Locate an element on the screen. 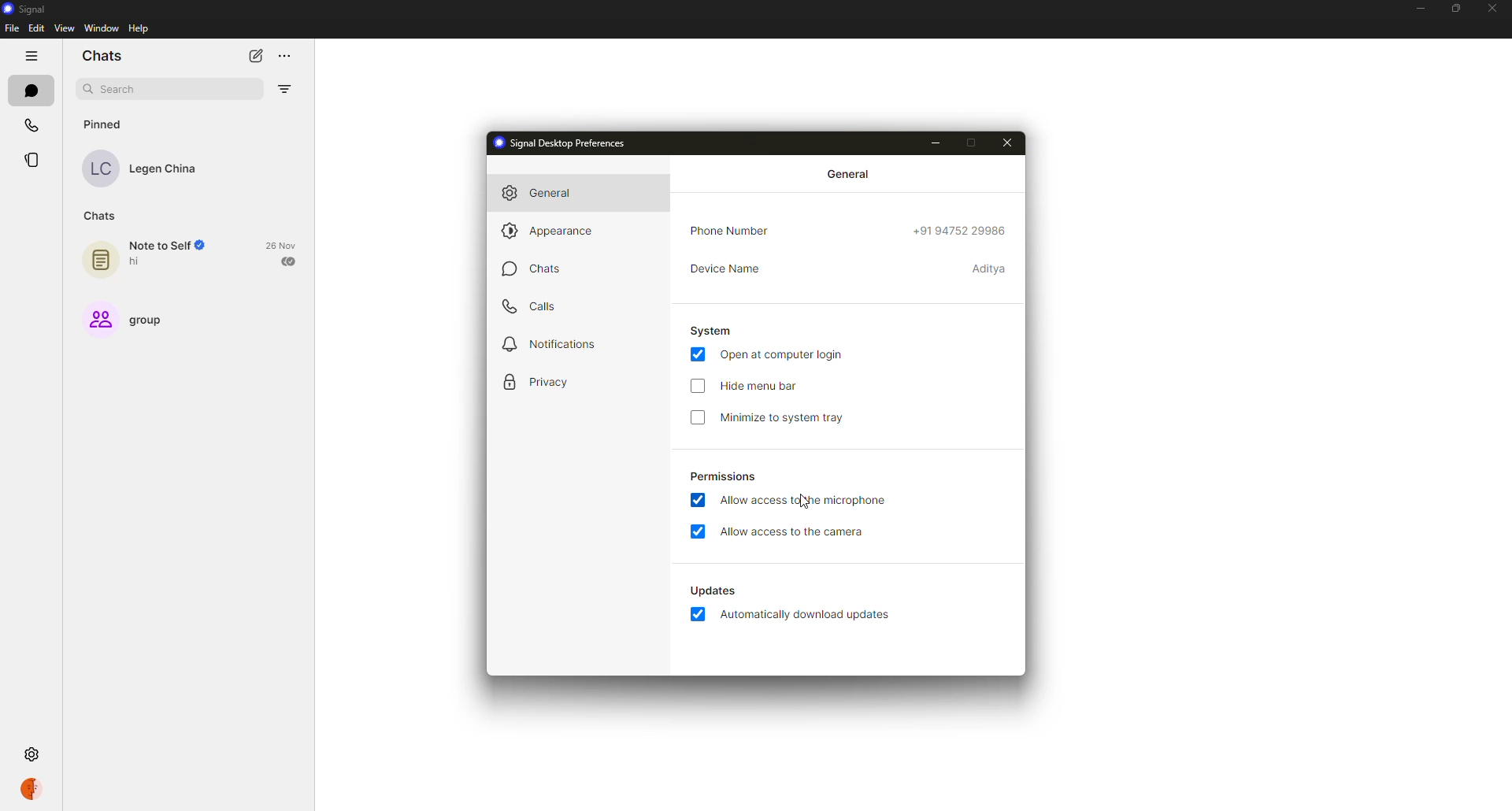 The height and width of the screenshot is (811, 1512). enabled is located at coordinates (696, 354).